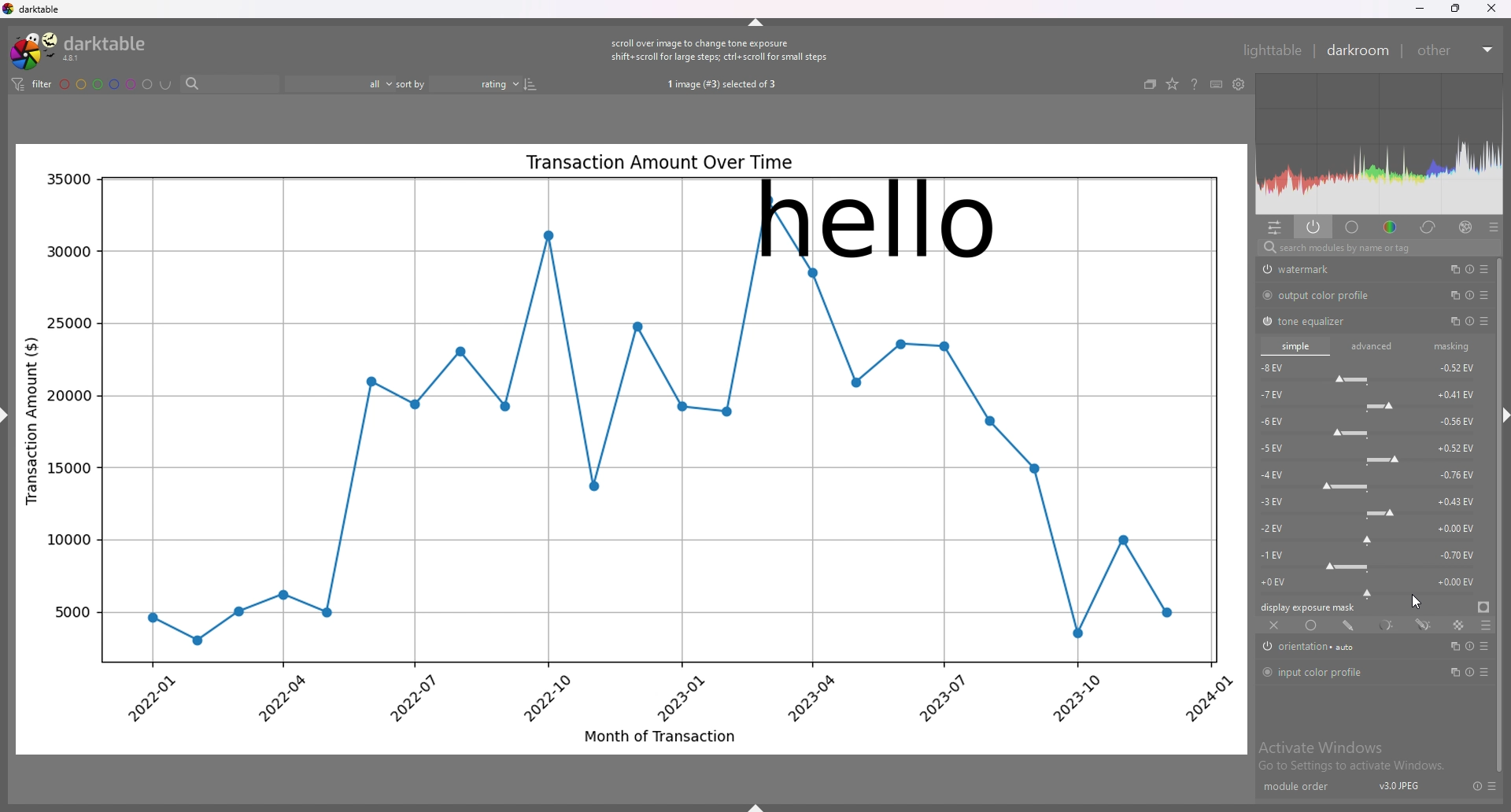 The width and height of the screenshot is (1511, 812). Describe the element at coordinates (1391, 227) in the screenshot. I see `color` at that location.